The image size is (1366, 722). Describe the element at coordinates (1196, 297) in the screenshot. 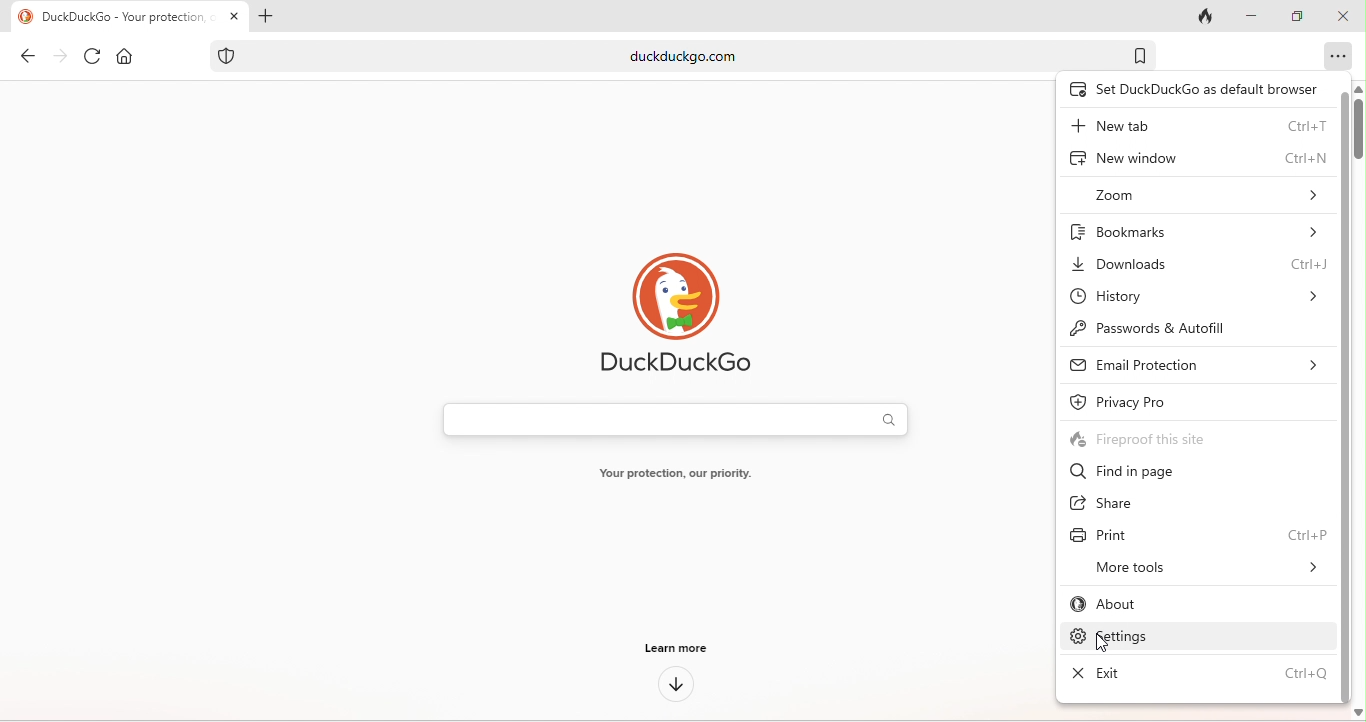

I see `history` at that location.